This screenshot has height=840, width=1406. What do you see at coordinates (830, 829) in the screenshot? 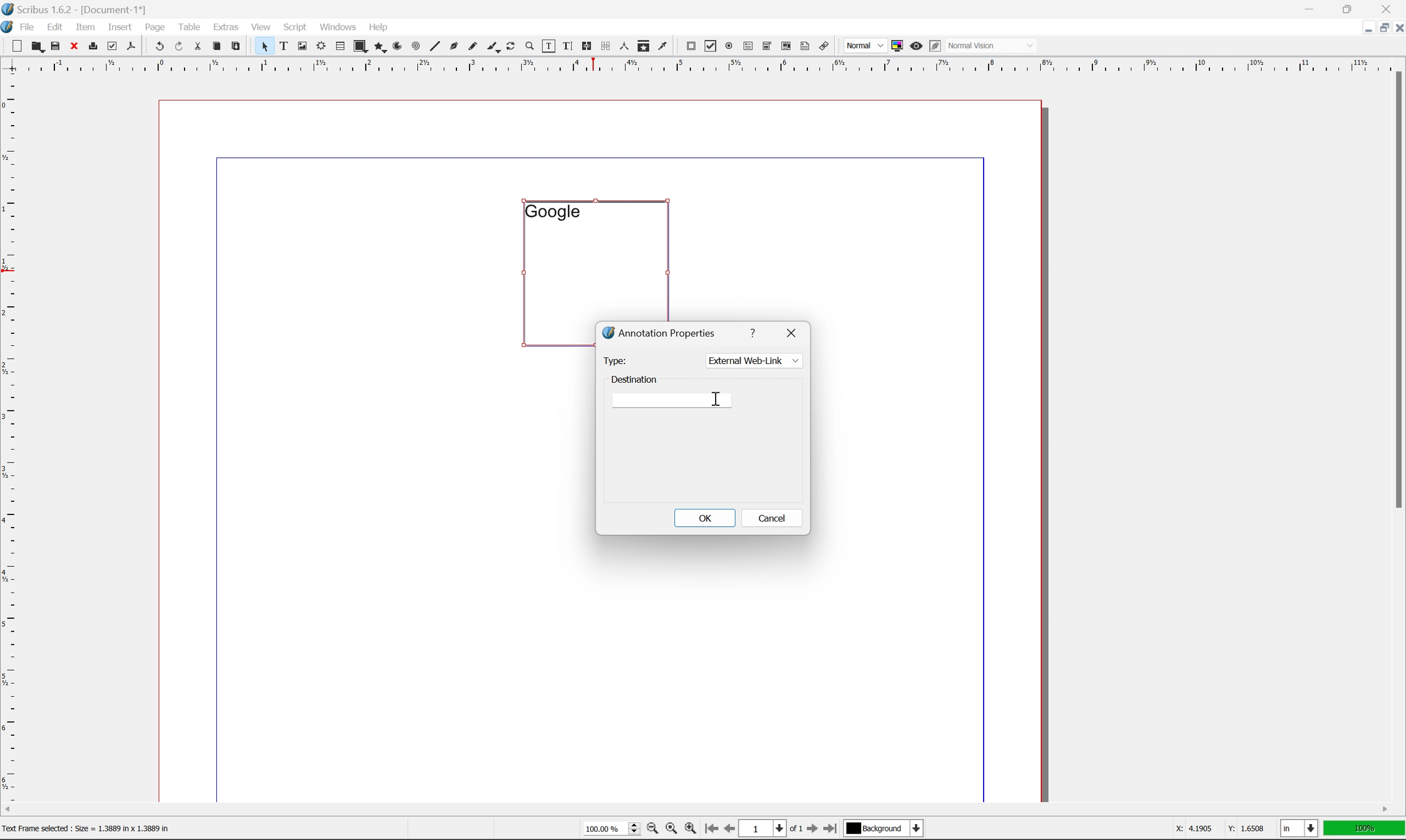
I see `go to last page` at bounding box center [830, 829].